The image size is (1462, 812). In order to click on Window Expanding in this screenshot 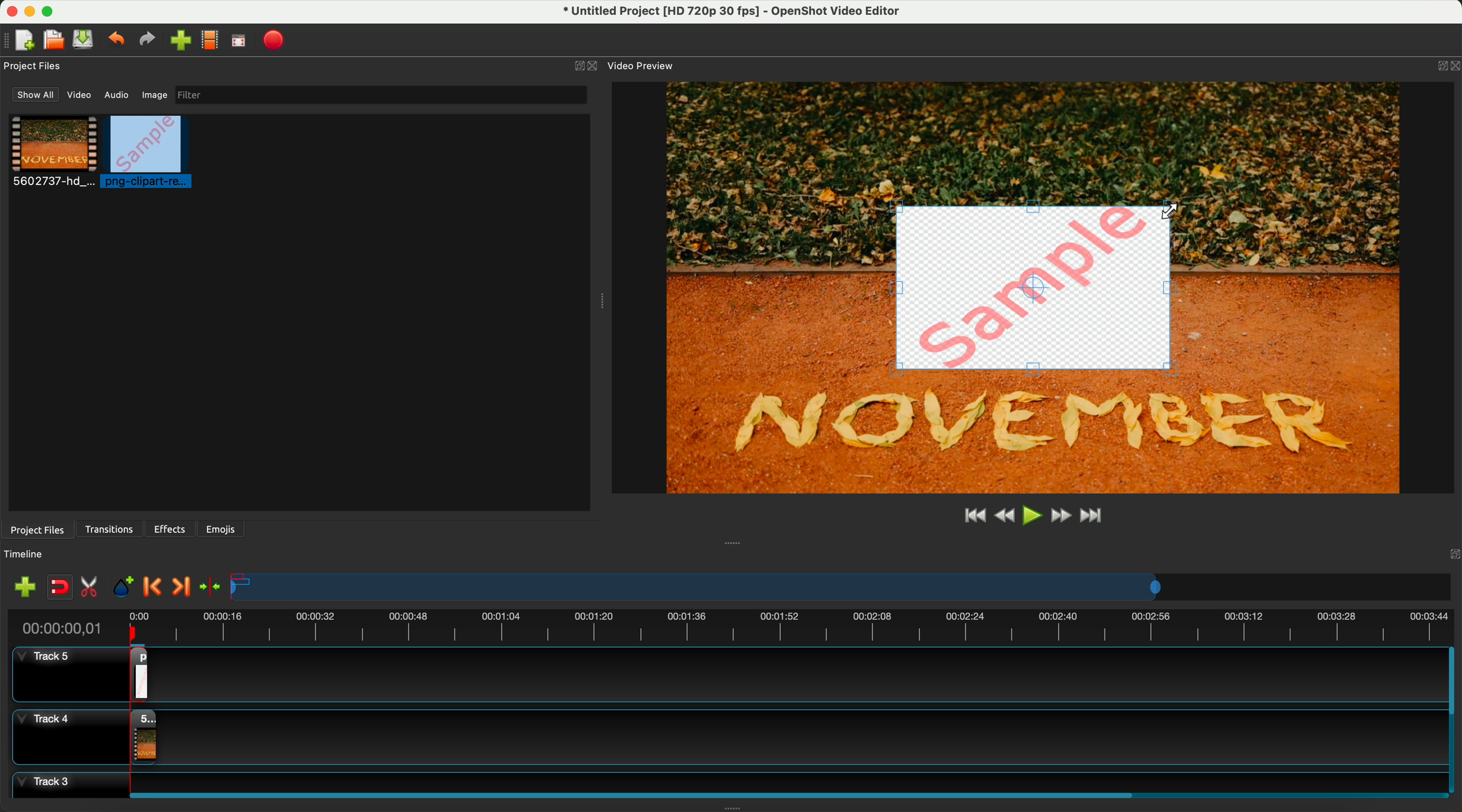, I will do `click(733, 542)`.